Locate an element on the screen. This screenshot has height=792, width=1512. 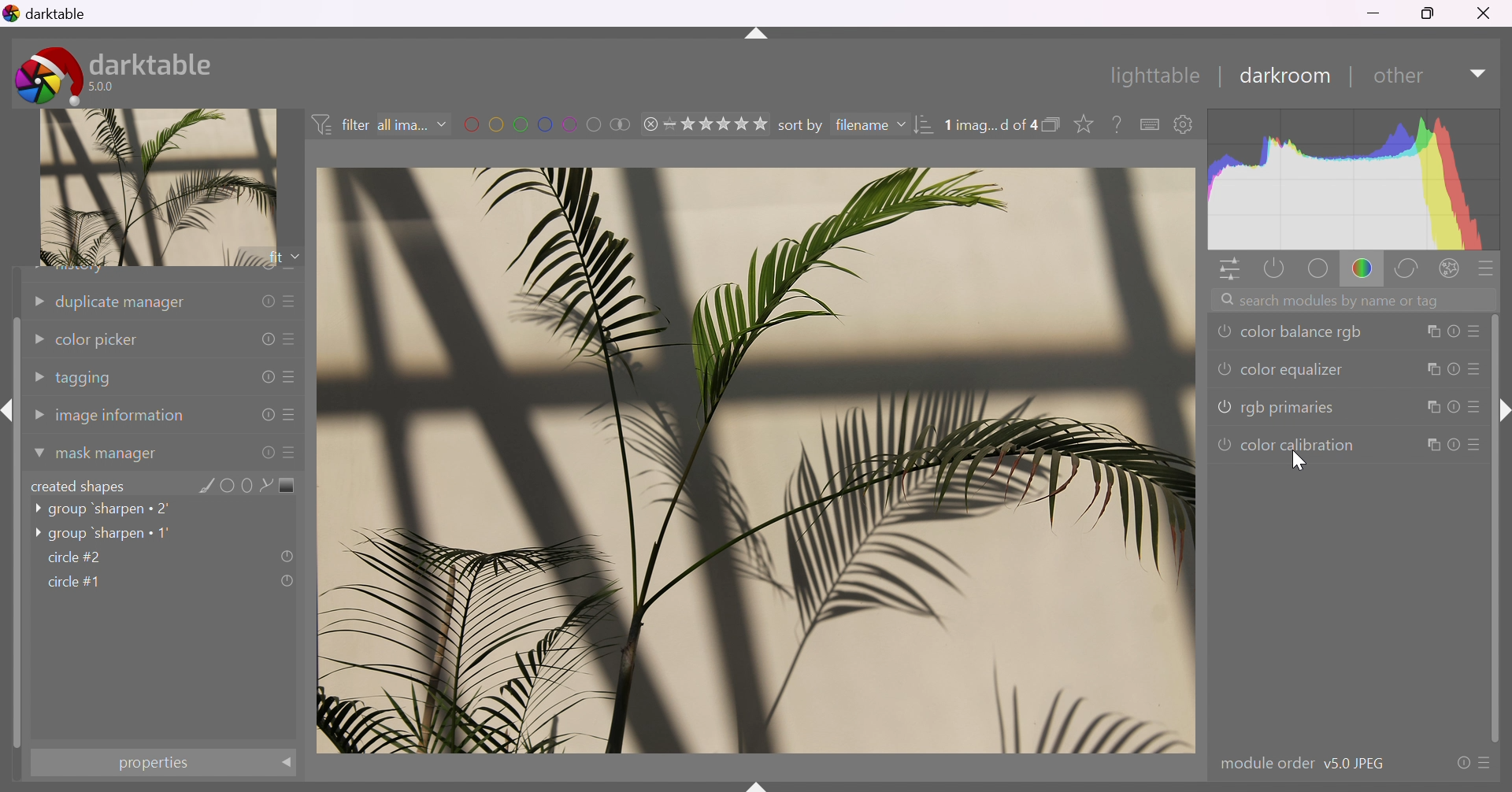
properties is located at coordinates (165, 762).